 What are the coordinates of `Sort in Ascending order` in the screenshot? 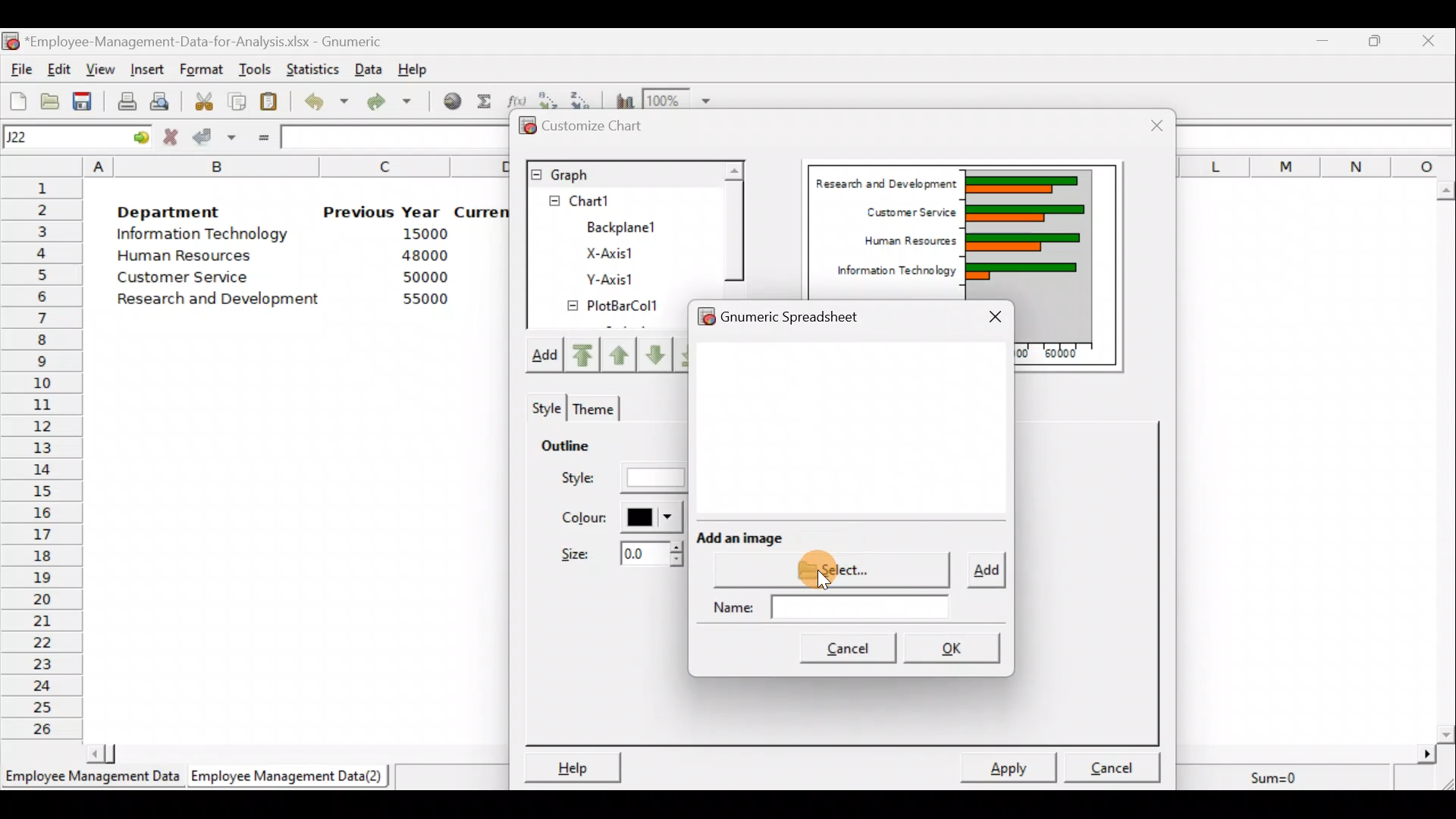 It's located at (549, 98).